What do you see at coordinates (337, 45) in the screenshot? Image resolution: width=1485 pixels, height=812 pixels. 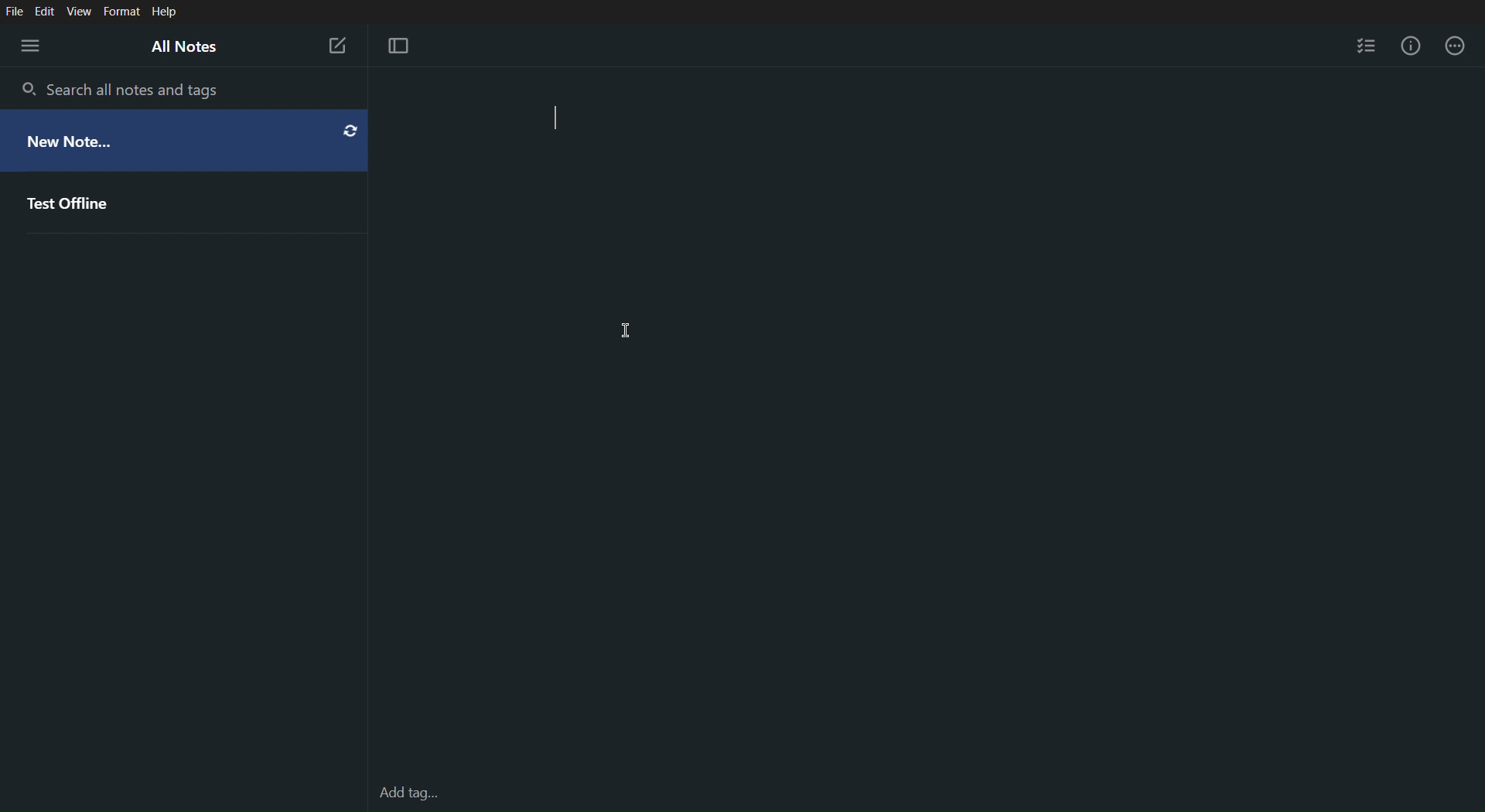 I see `New Note` at bounding box center [337, 45].